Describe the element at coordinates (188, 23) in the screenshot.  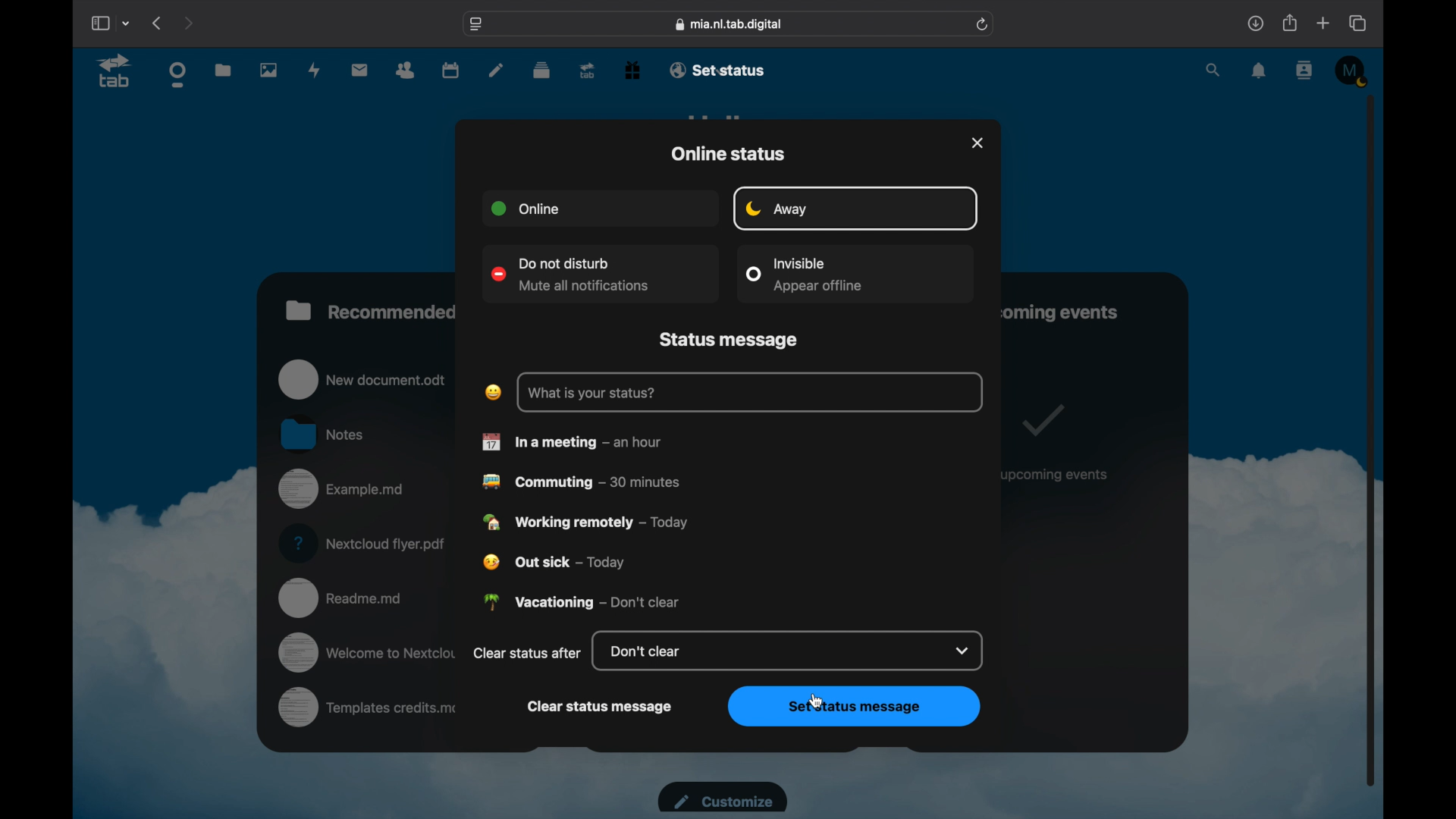
I see `next` at that location.